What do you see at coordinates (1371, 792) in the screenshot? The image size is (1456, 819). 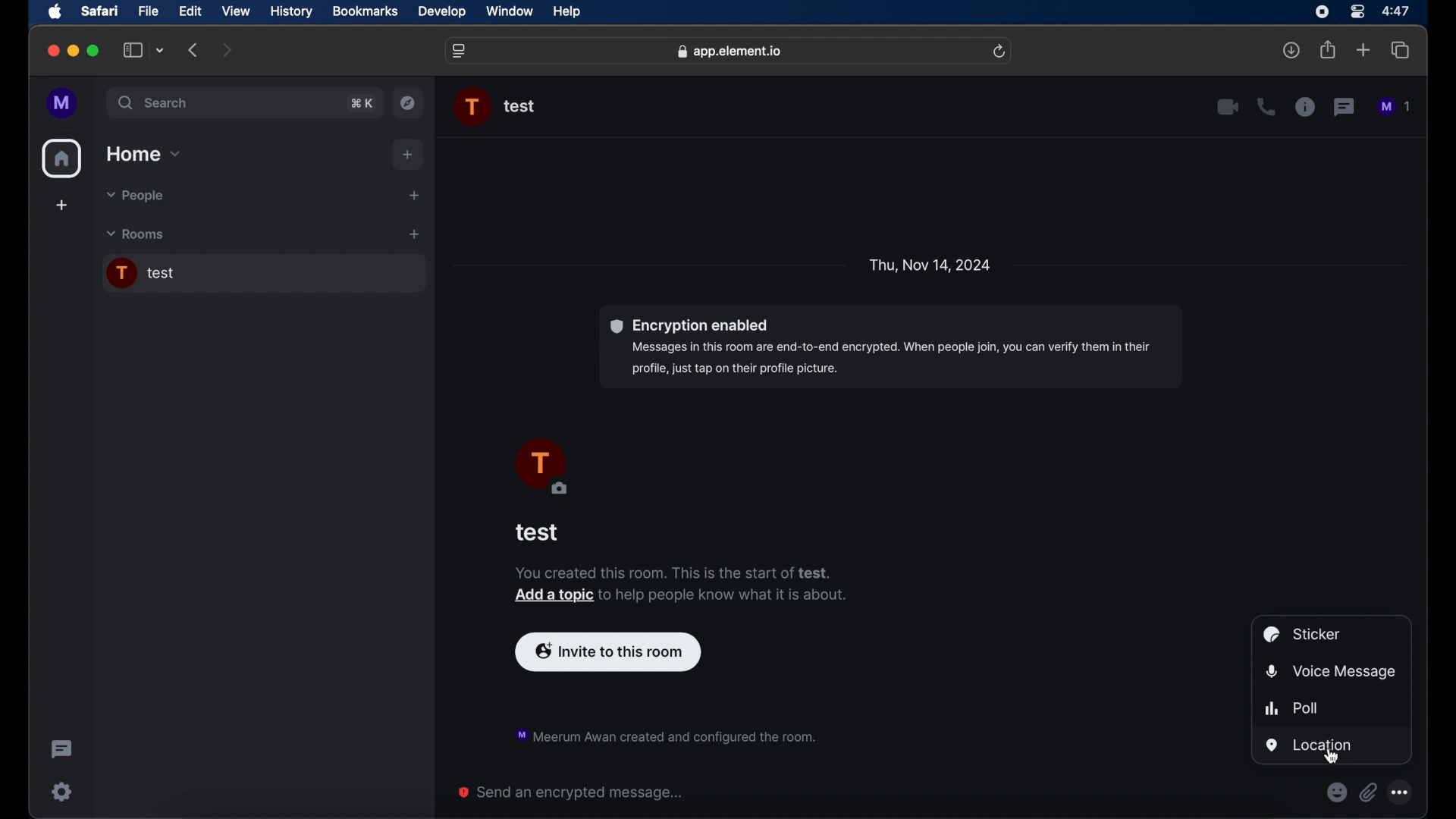 I see `Attach files` at bounding box center [1371, 792].